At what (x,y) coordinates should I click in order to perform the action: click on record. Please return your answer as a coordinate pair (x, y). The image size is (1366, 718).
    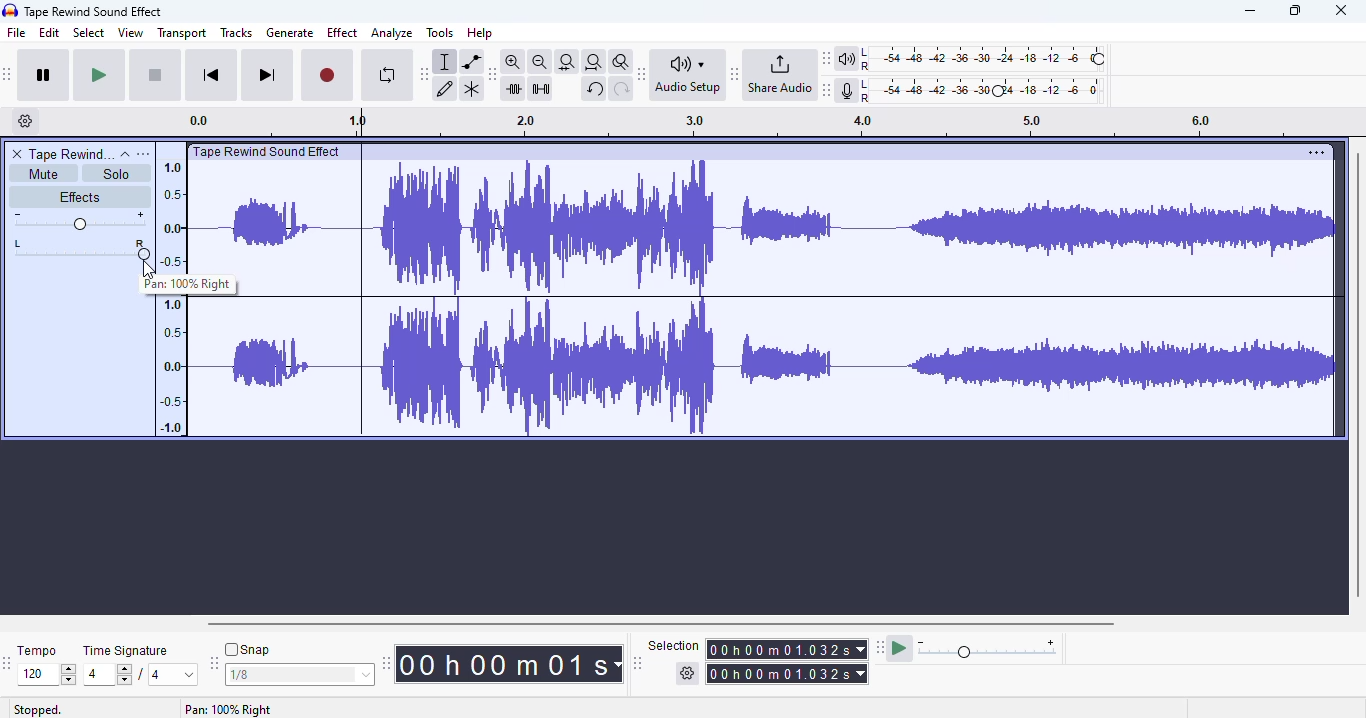
    Looking at the image, I should click on (327, 76).